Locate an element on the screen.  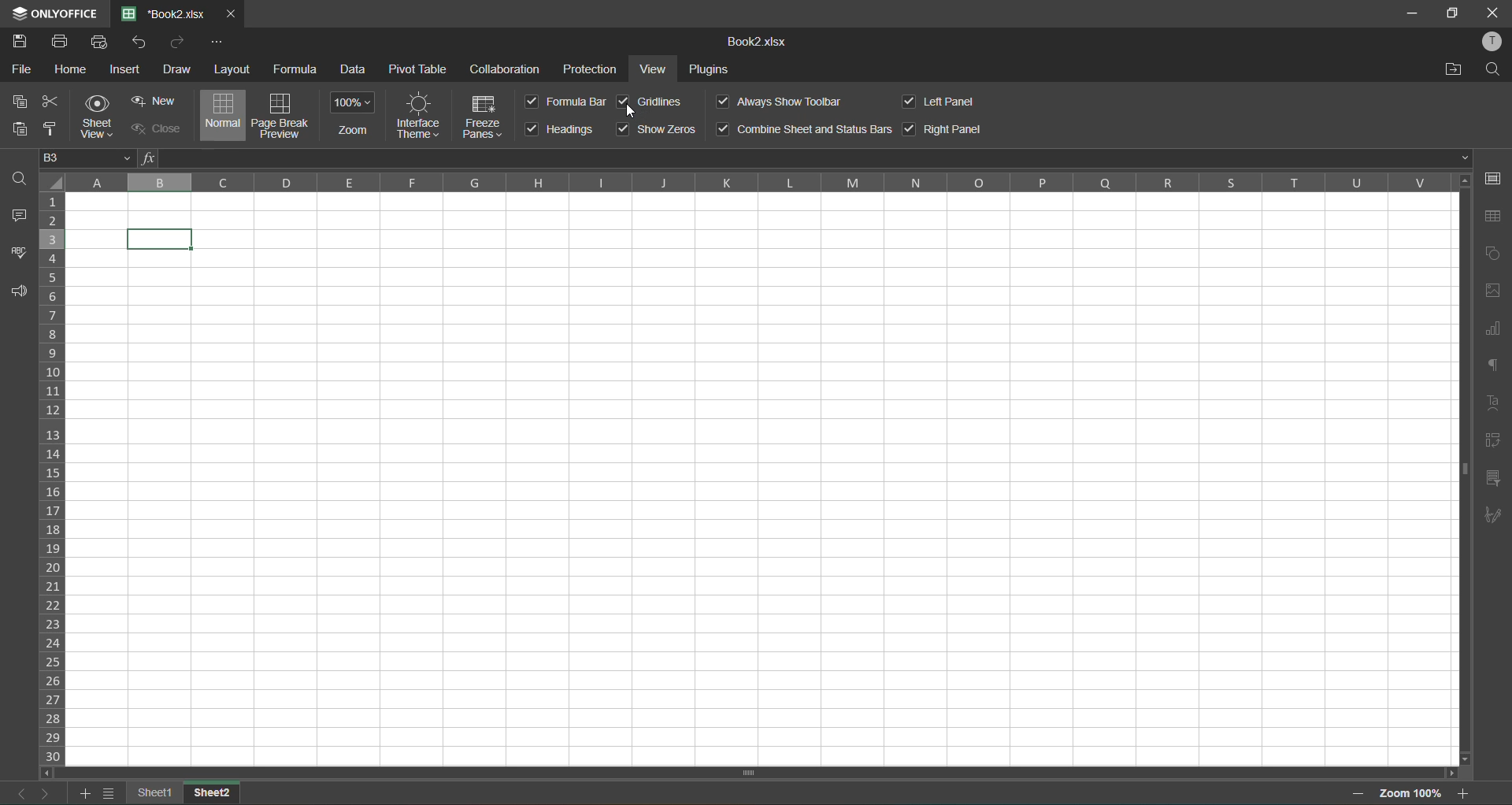
always show toolbar is located at coordinates (779, 100).